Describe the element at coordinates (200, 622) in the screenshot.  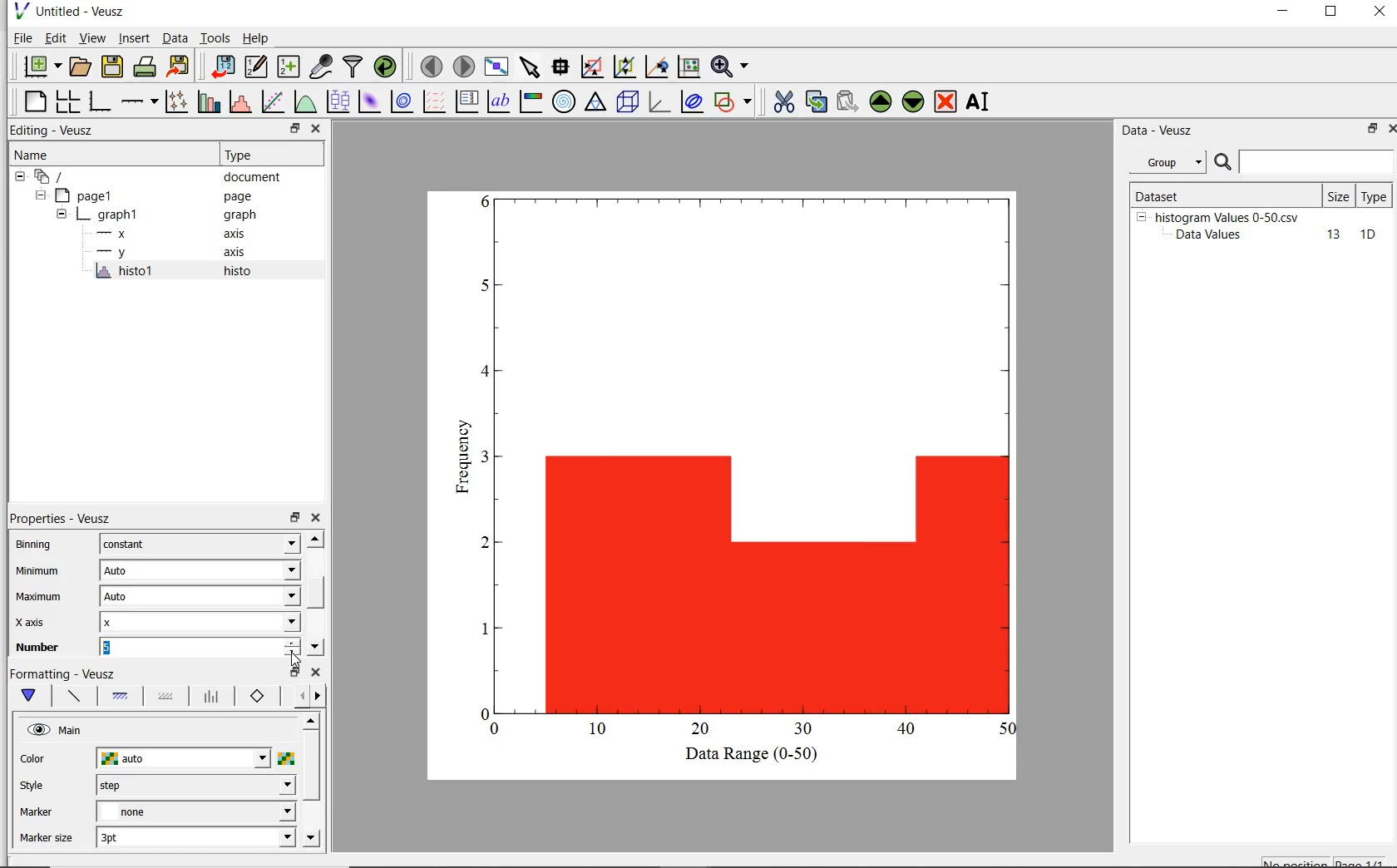
I see `x` at that location.